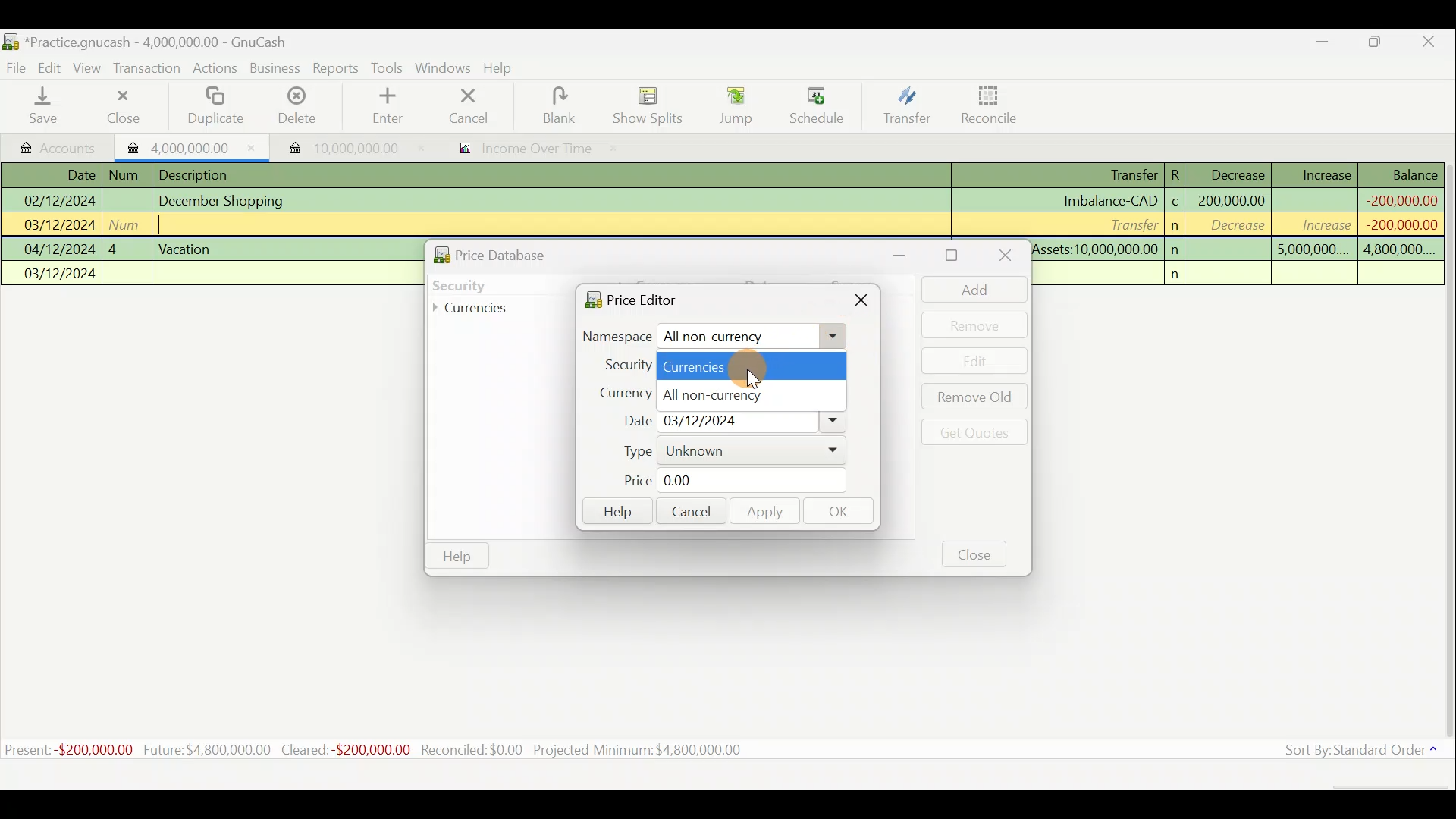  Describe the element at coordinates (485, 108) in the screenshot. I see `cancel` at that location.